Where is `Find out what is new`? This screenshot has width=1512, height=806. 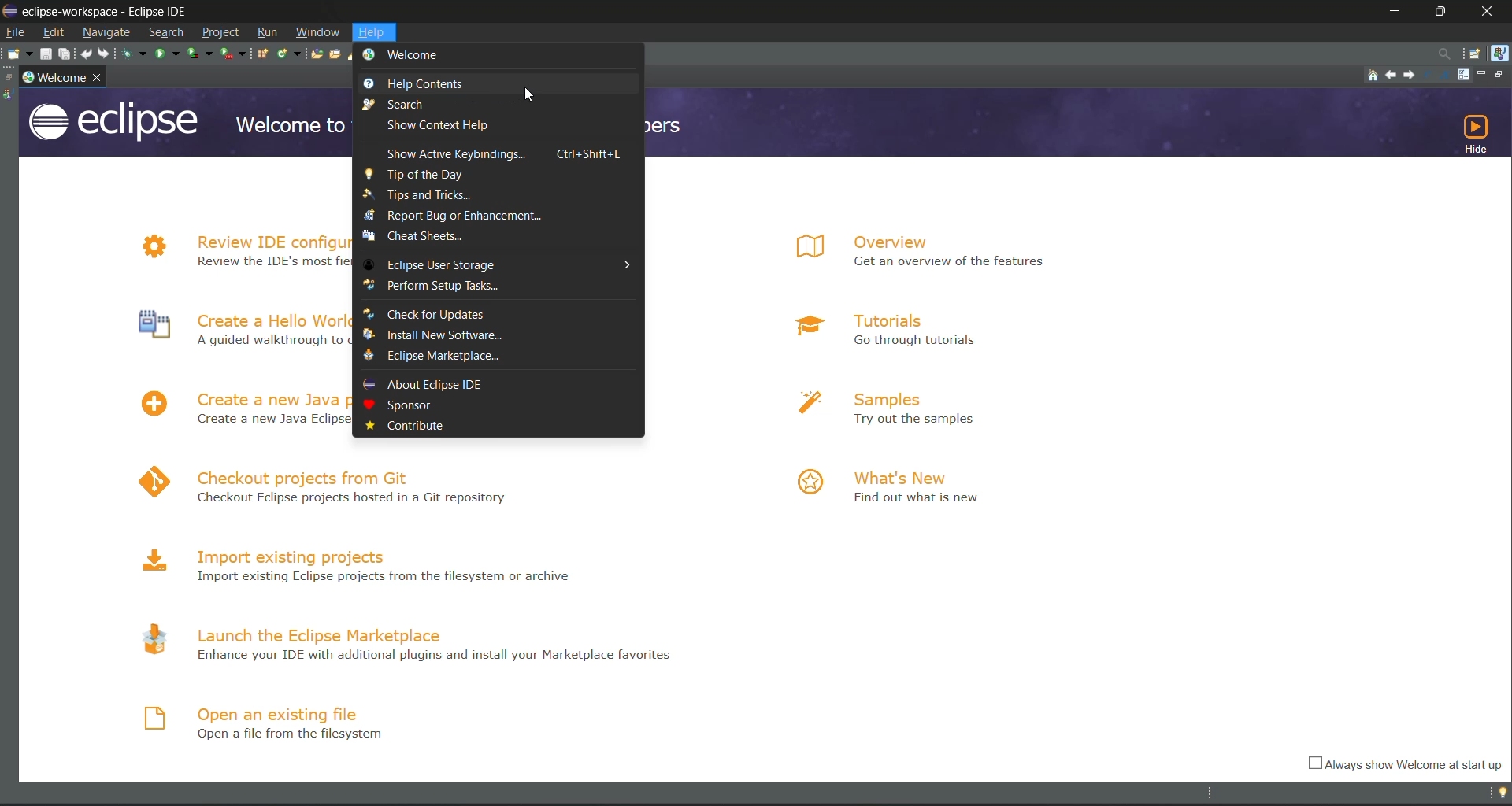 Find out what is new is located at coordinates (917, 497).